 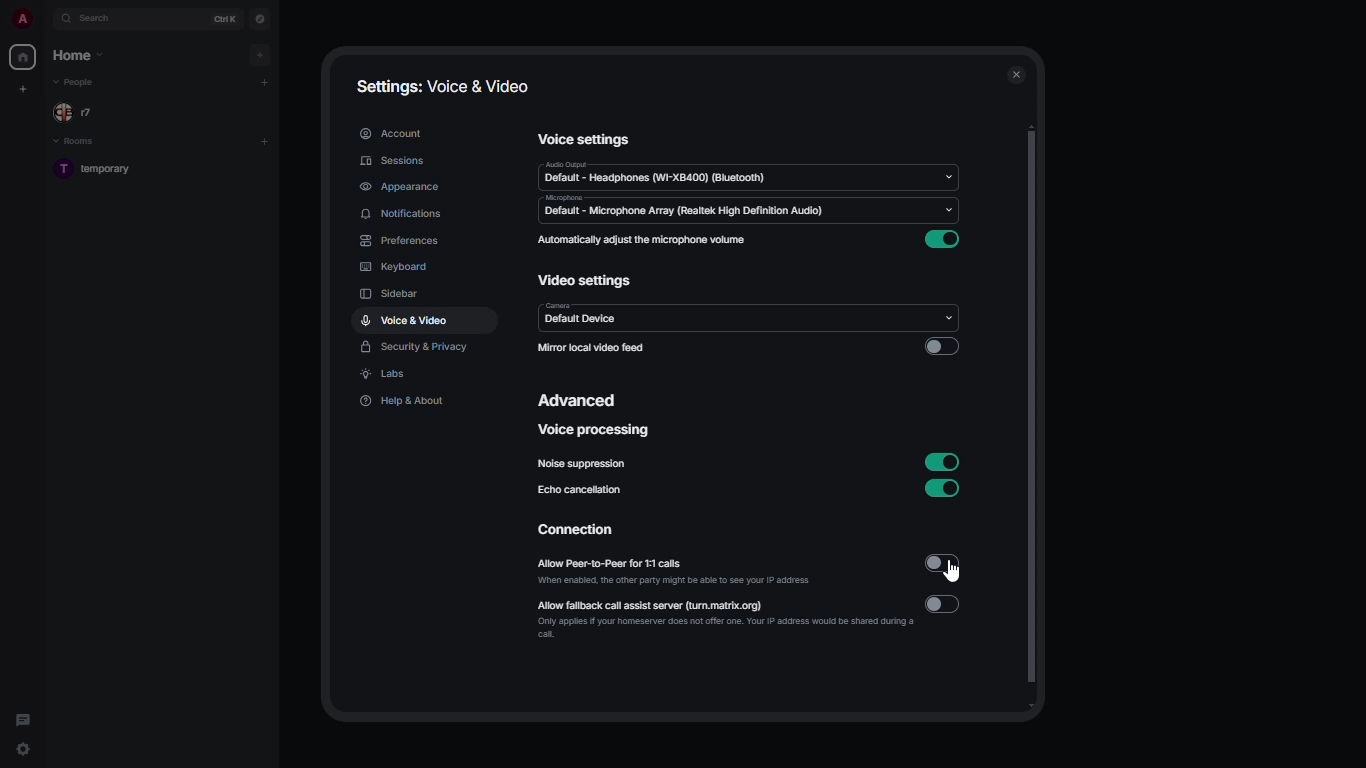 I want to click on room, so click(x=100, y=170).